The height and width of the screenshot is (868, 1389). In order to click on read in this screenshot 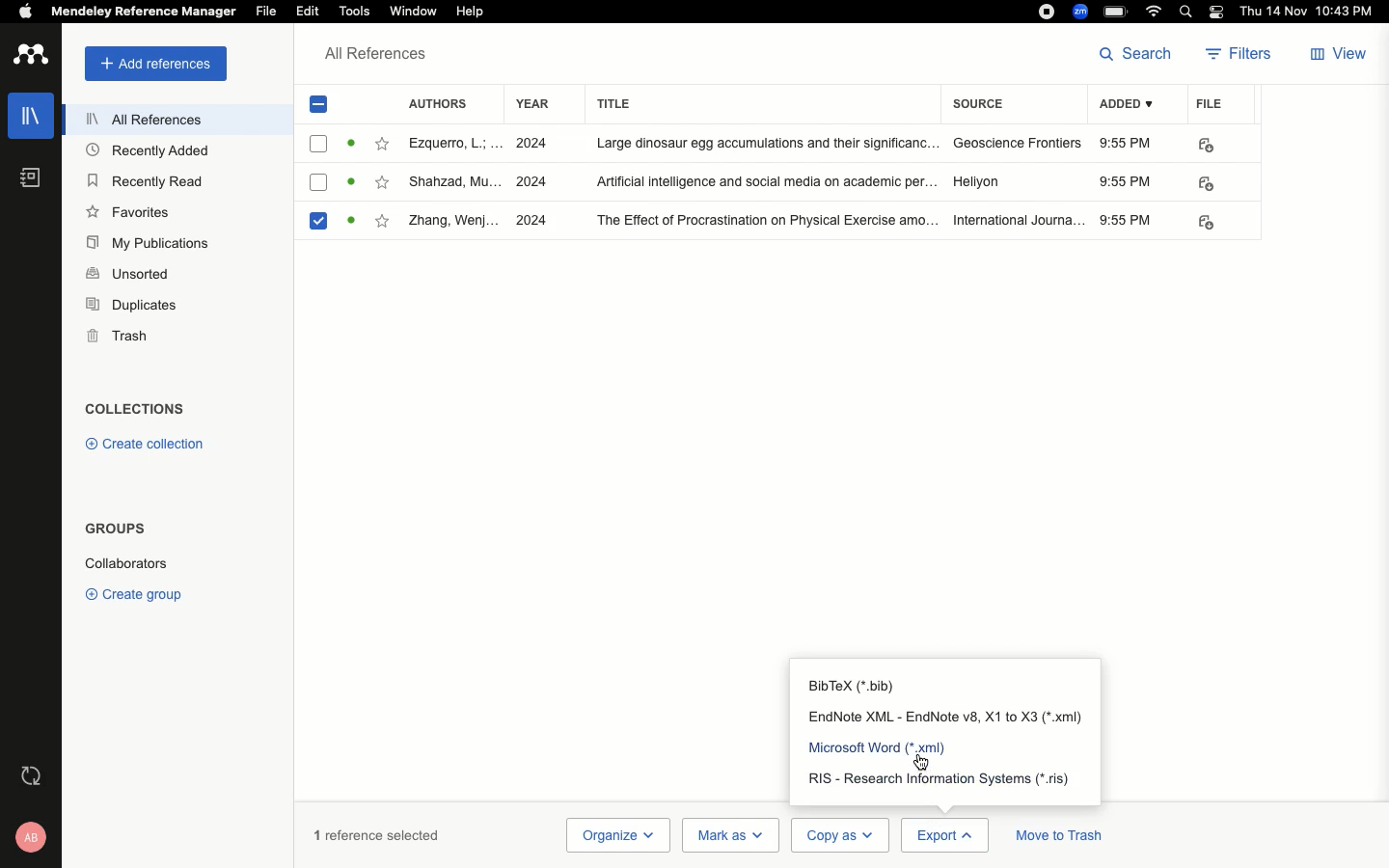, I will do `click(356, 220)`.